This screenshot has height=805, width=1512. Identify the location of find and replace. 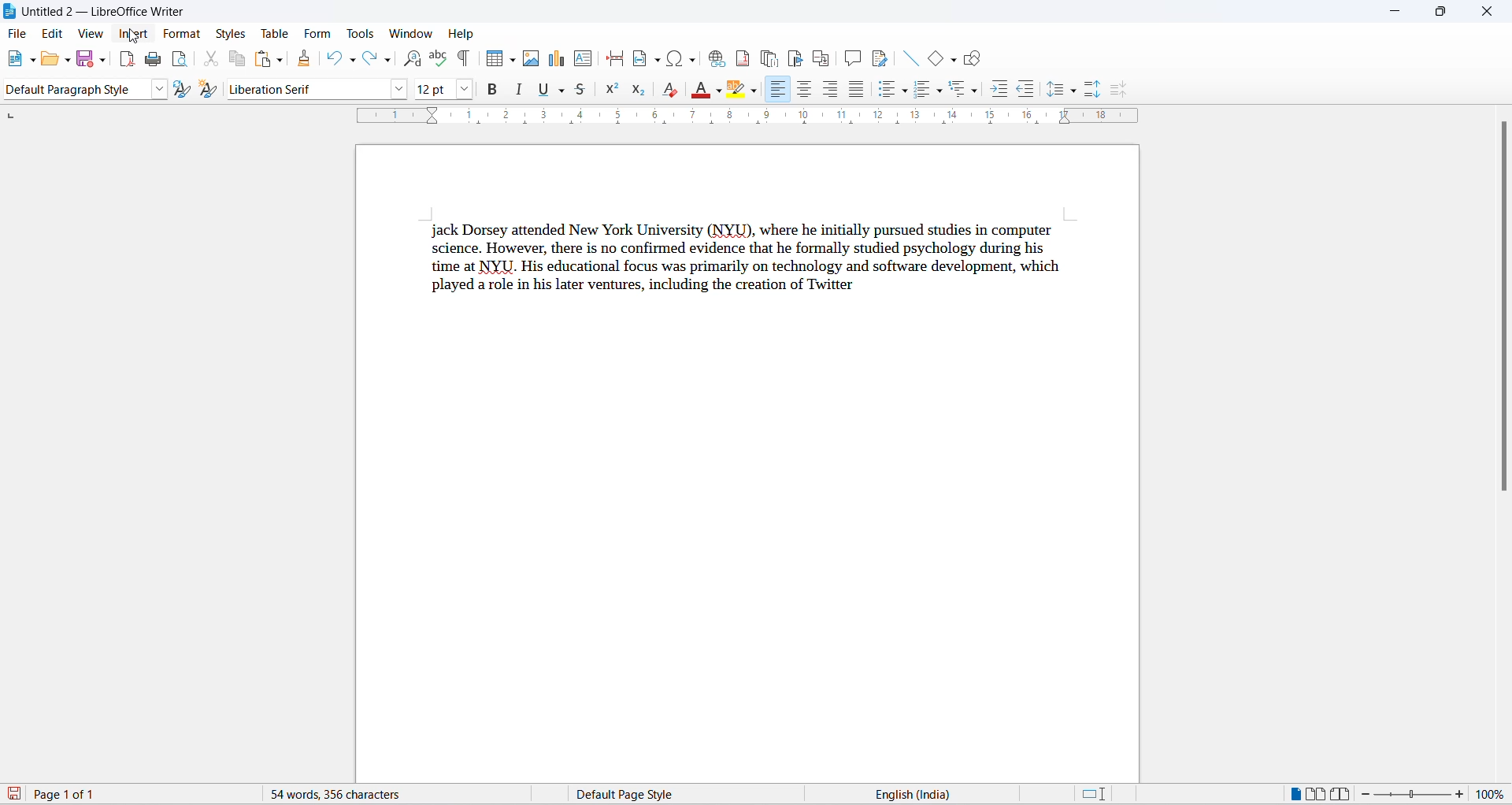
(416, 58).